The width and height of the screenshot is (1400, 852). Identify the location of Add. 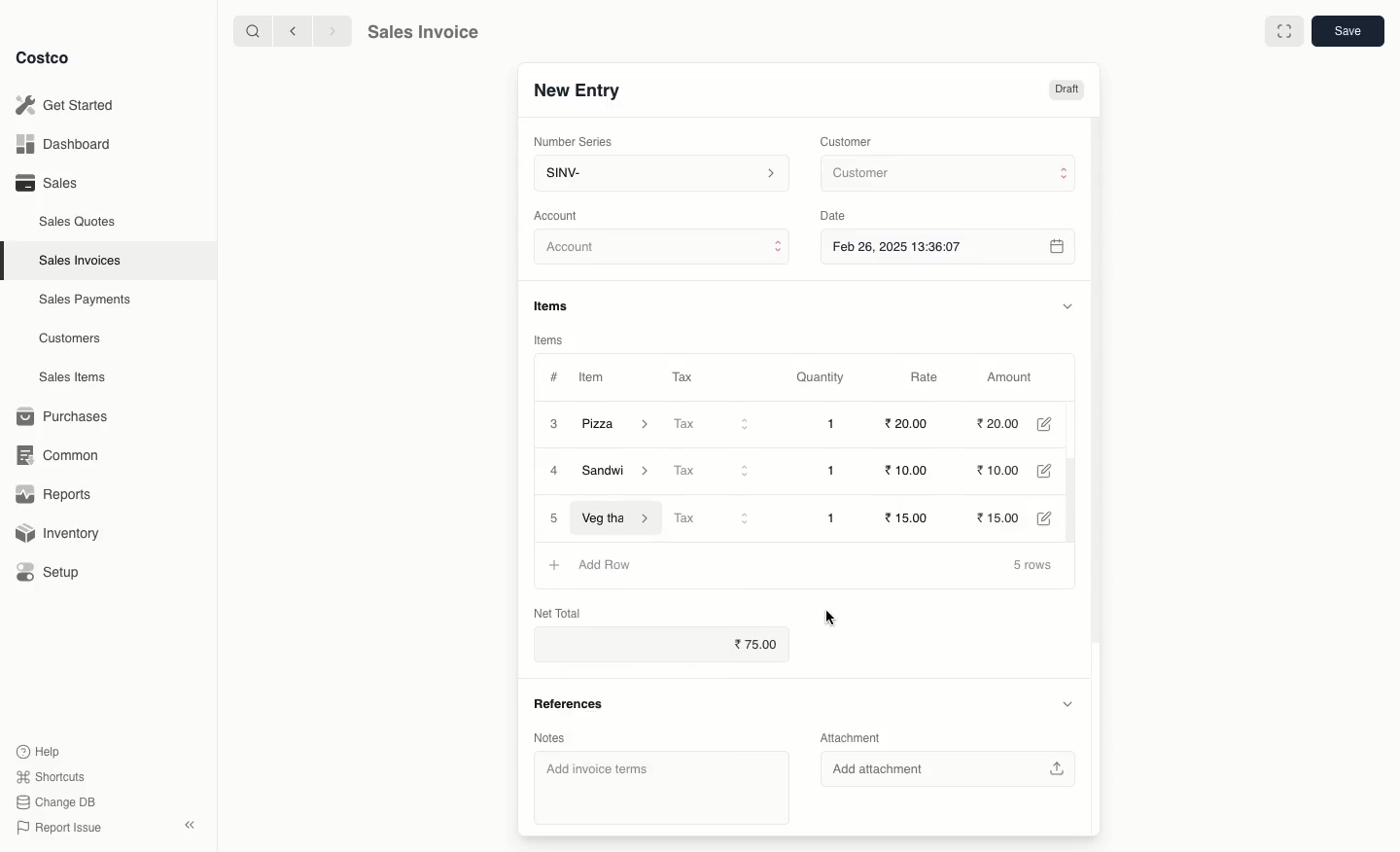
(555, 563).